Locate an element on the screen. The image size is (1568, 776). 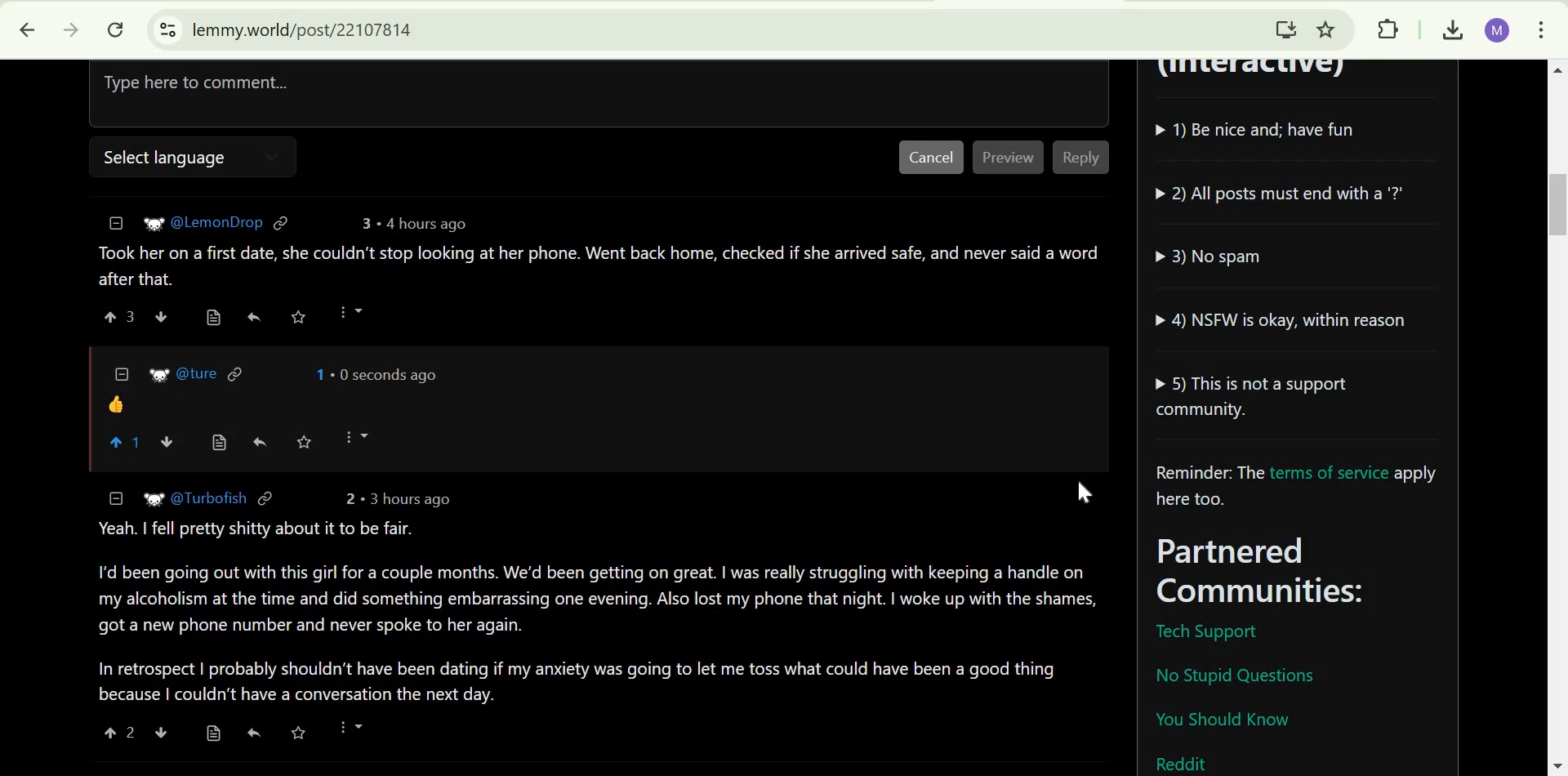
view source is located at coordinates (212, 317).